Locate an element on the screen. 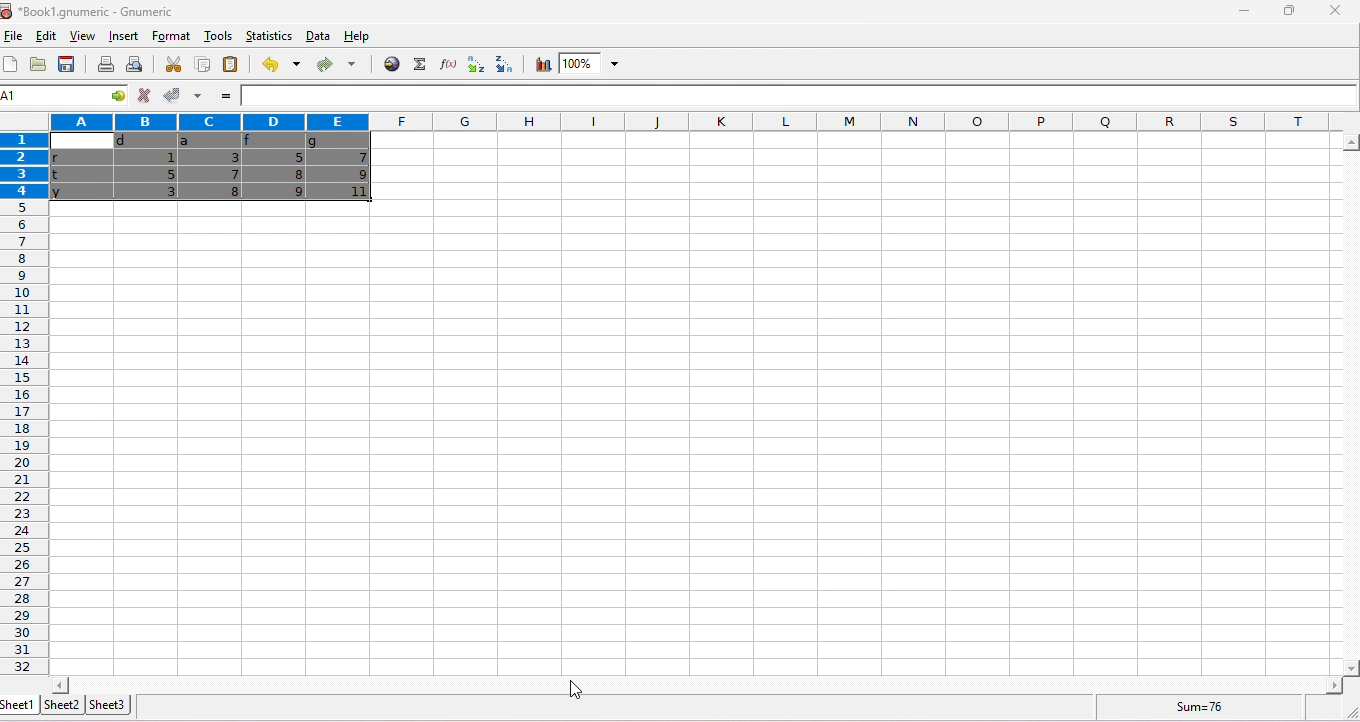 The image size is (1360, 722). cursor movement is located at coordinates (15, 32).